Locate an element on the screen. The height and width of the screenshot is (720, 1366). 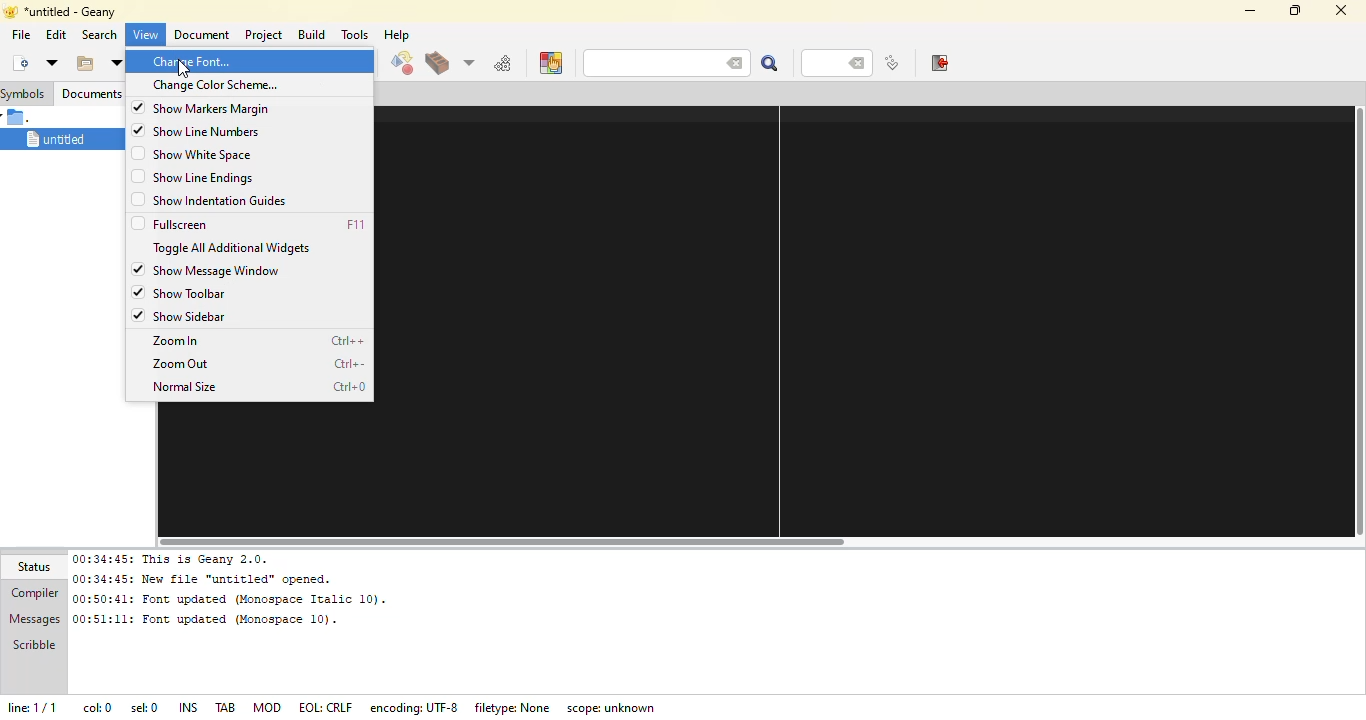
ctrl++ is located at coordinates (348, 341).